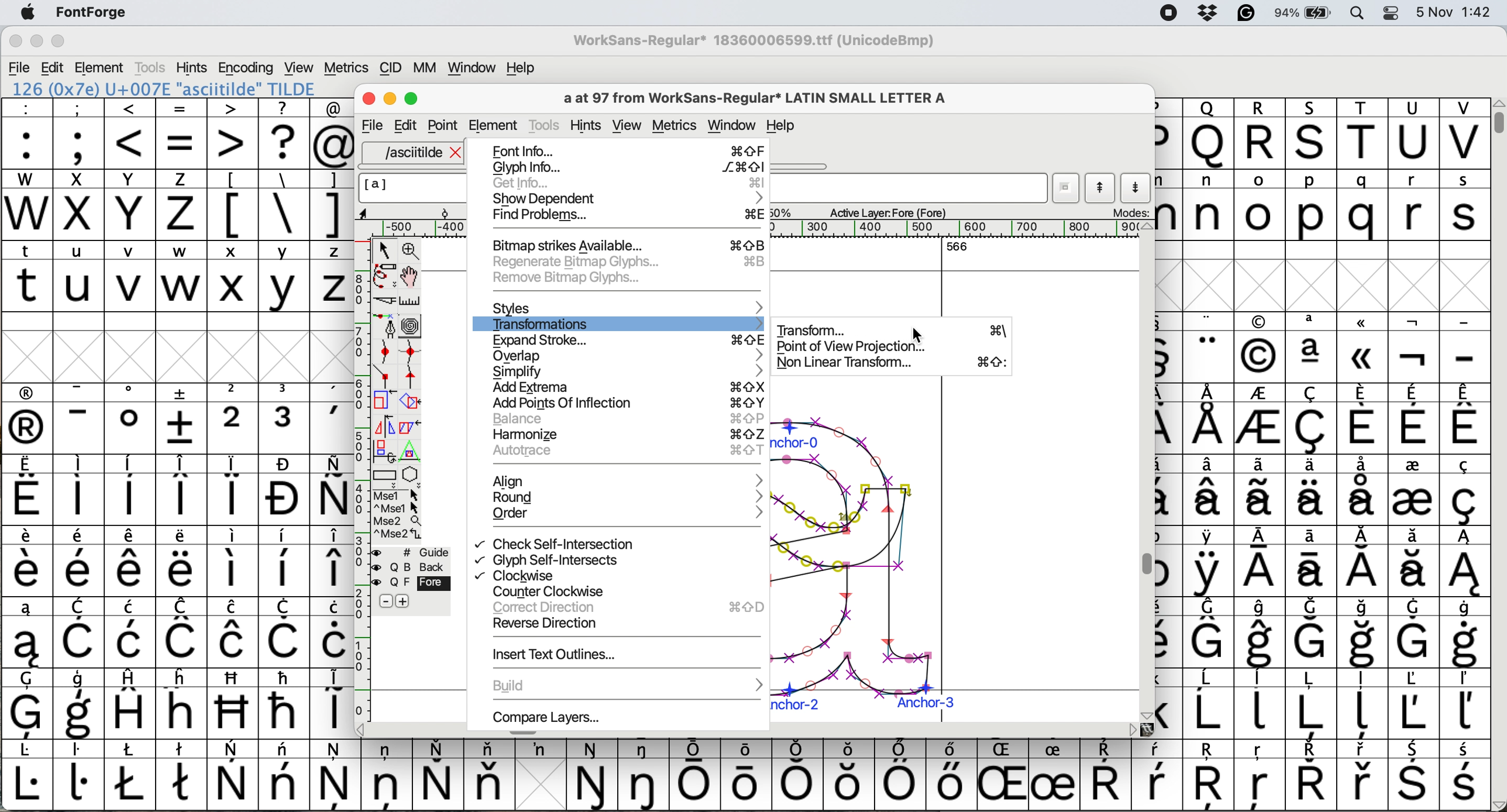 This screenshot has width=1507, height=812. I want to click on symbol, so click(1414, 632).